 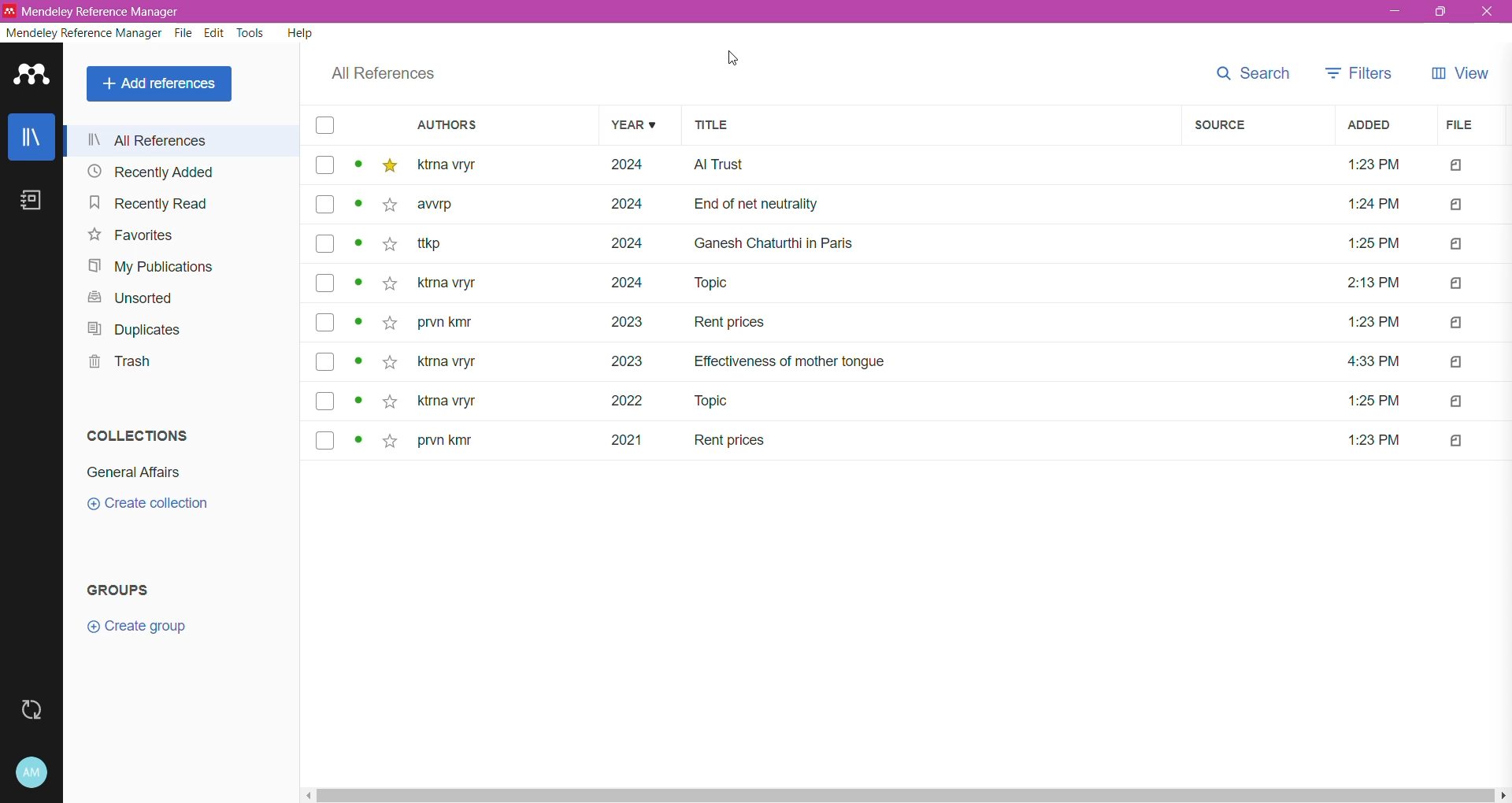 What do you see at coordinates (1361, 73) in the screenshot?
I see `Filters` at bounding box center [1361, 73].